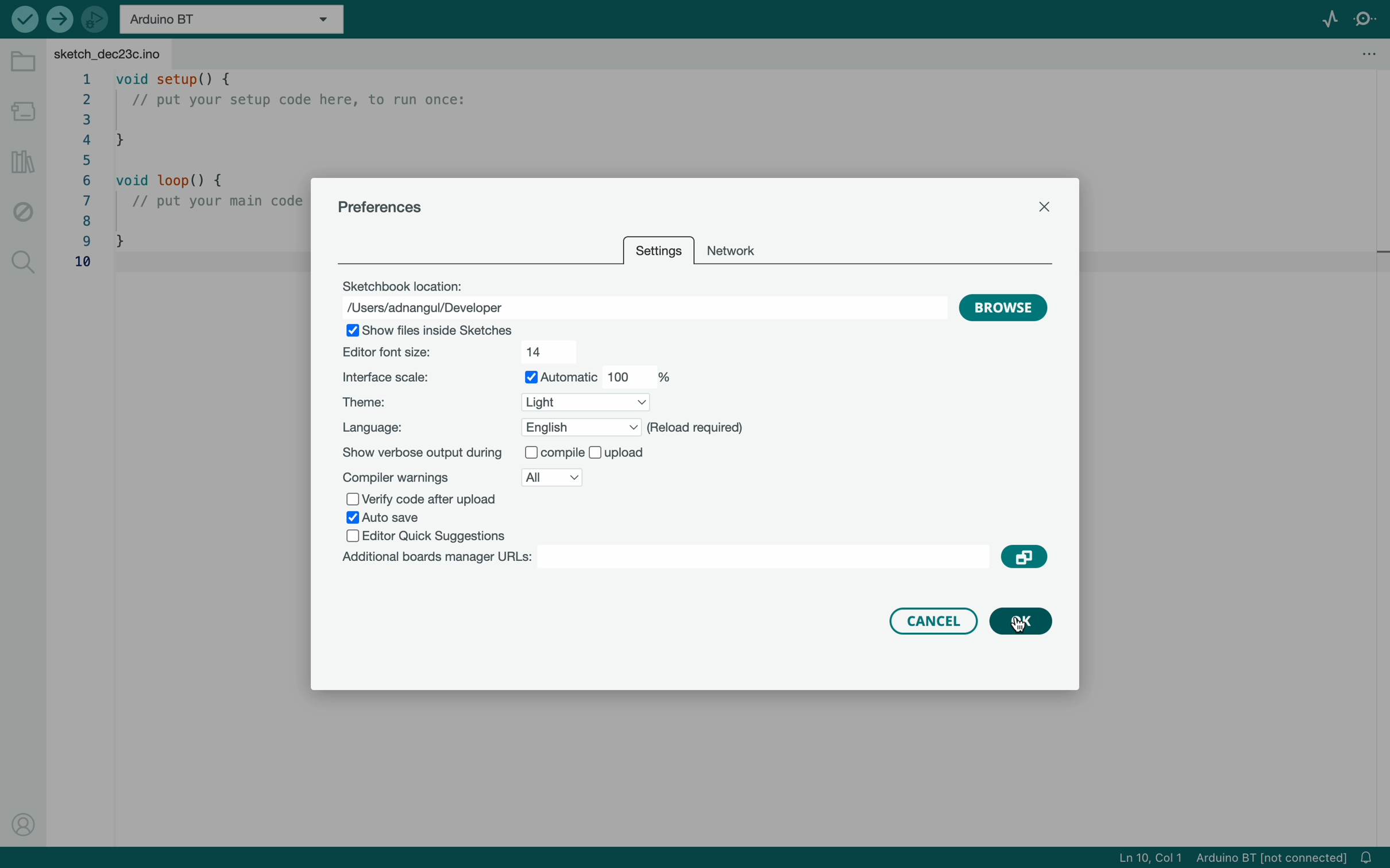  Describe the element at coordinates (1025, 621) in the screenshot. I see `clicked` at that location.